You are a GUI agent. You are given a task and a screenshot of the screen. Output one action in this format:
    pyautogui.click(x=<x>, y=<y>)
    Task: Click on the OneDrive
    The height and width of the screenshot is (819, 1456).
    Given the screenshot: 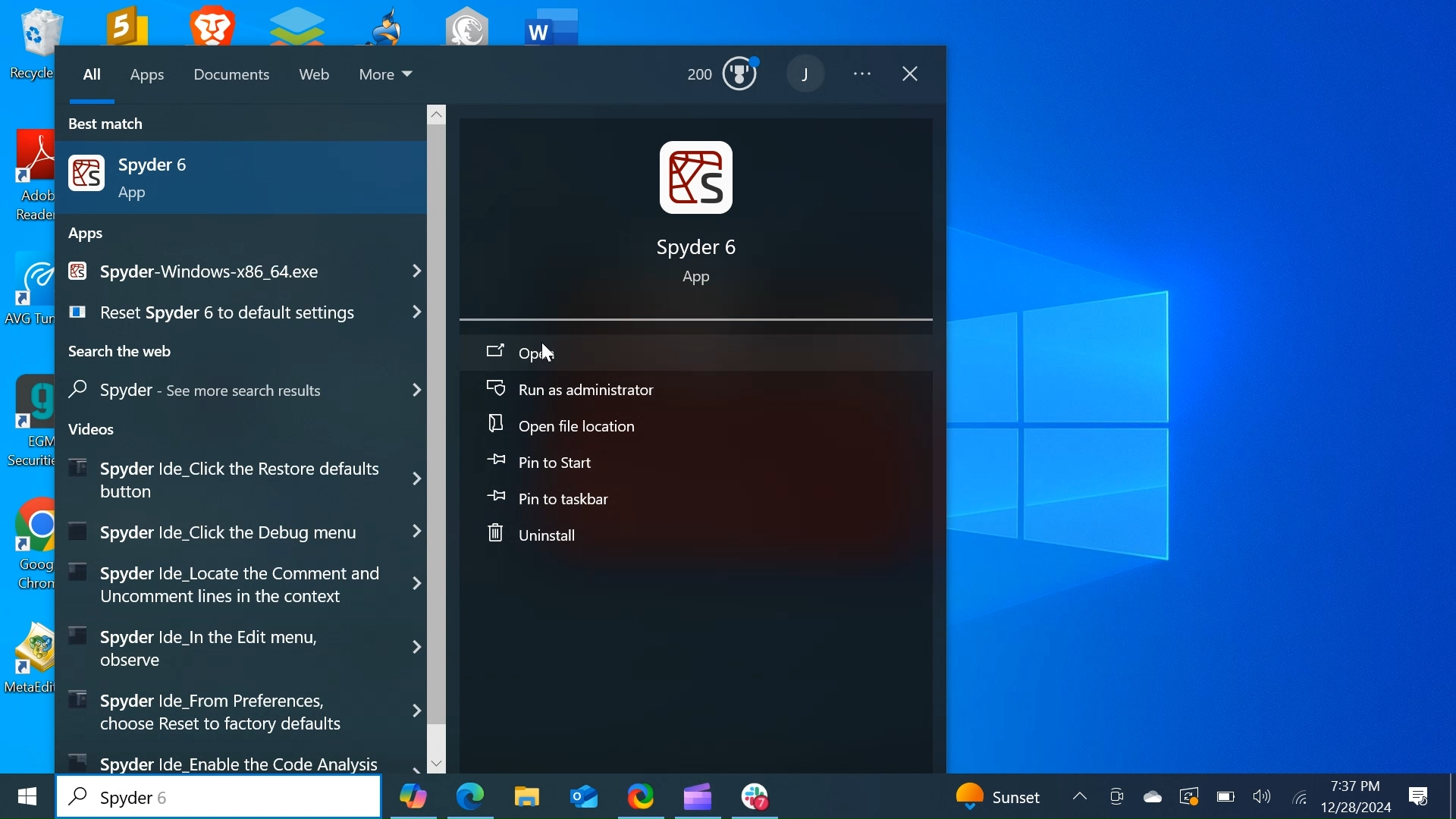 What is the action you would take?
    pyautogui.click(x=1152, y=796)
    